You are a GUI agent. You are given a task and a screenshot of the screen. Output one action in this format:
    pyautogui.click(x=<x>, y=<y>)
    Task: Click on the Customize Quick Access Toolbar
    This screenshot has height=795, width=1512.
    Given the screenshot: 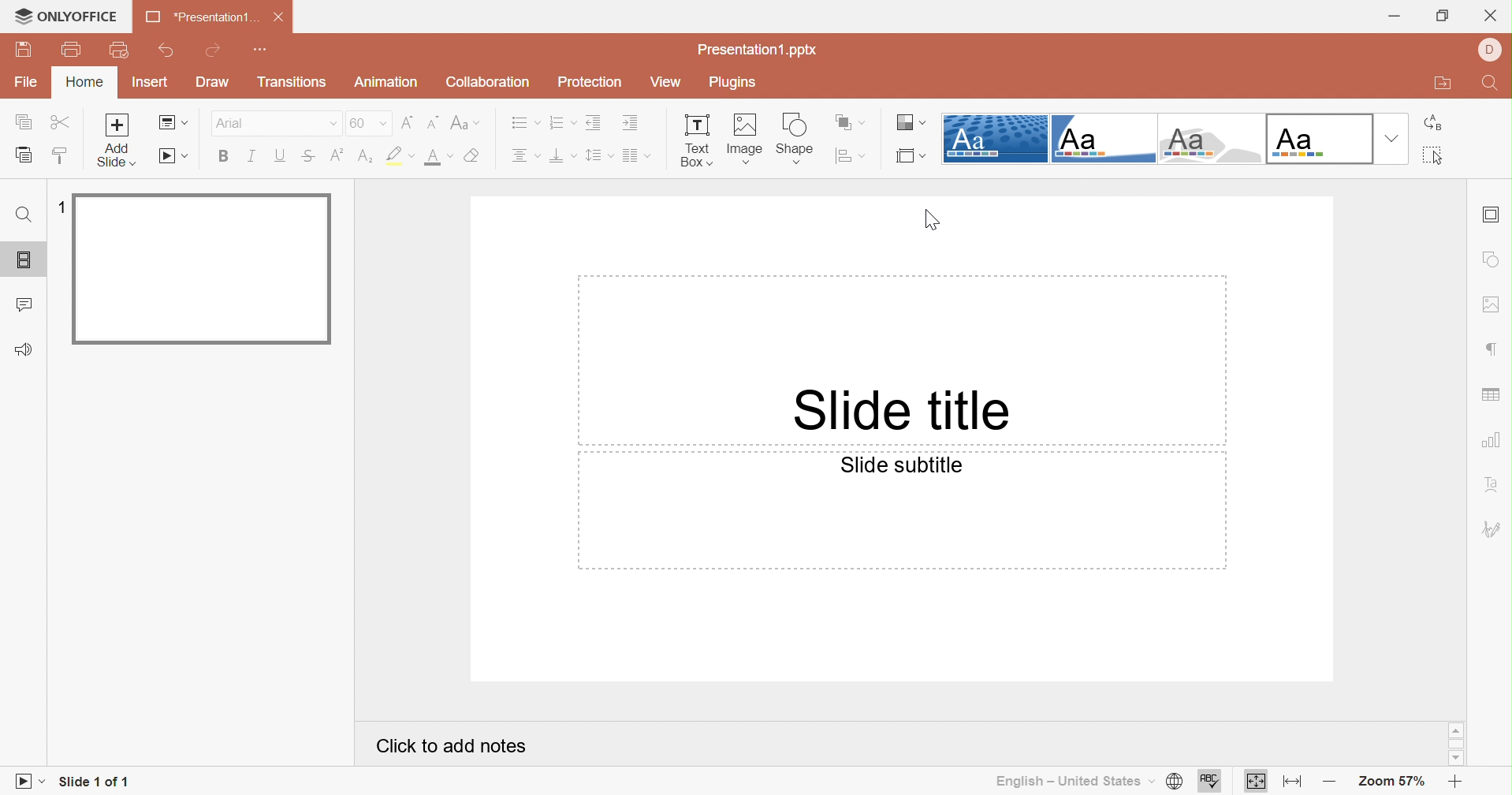 What is the action you would take?
    pyautogui.click(x=263, y=49)
    